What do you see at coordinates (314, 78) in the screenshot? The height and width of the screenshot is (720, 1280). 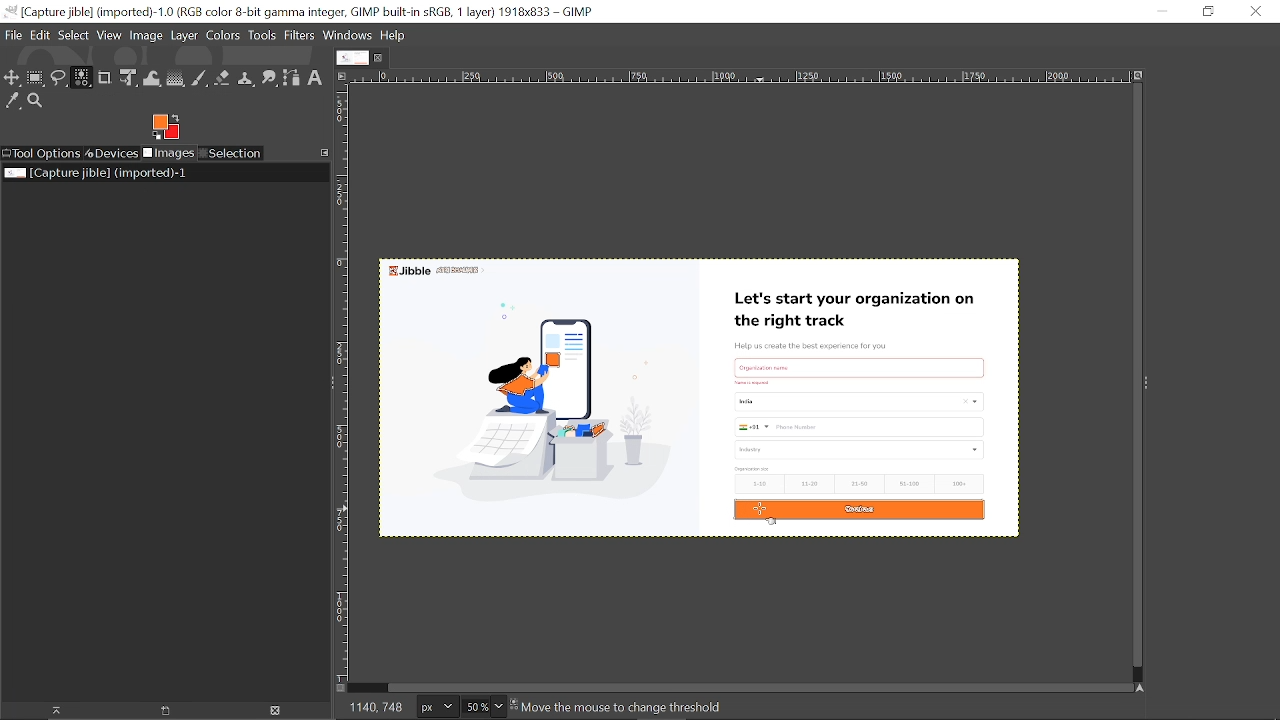 I see `Text tool` at bounding box center [314, 78].